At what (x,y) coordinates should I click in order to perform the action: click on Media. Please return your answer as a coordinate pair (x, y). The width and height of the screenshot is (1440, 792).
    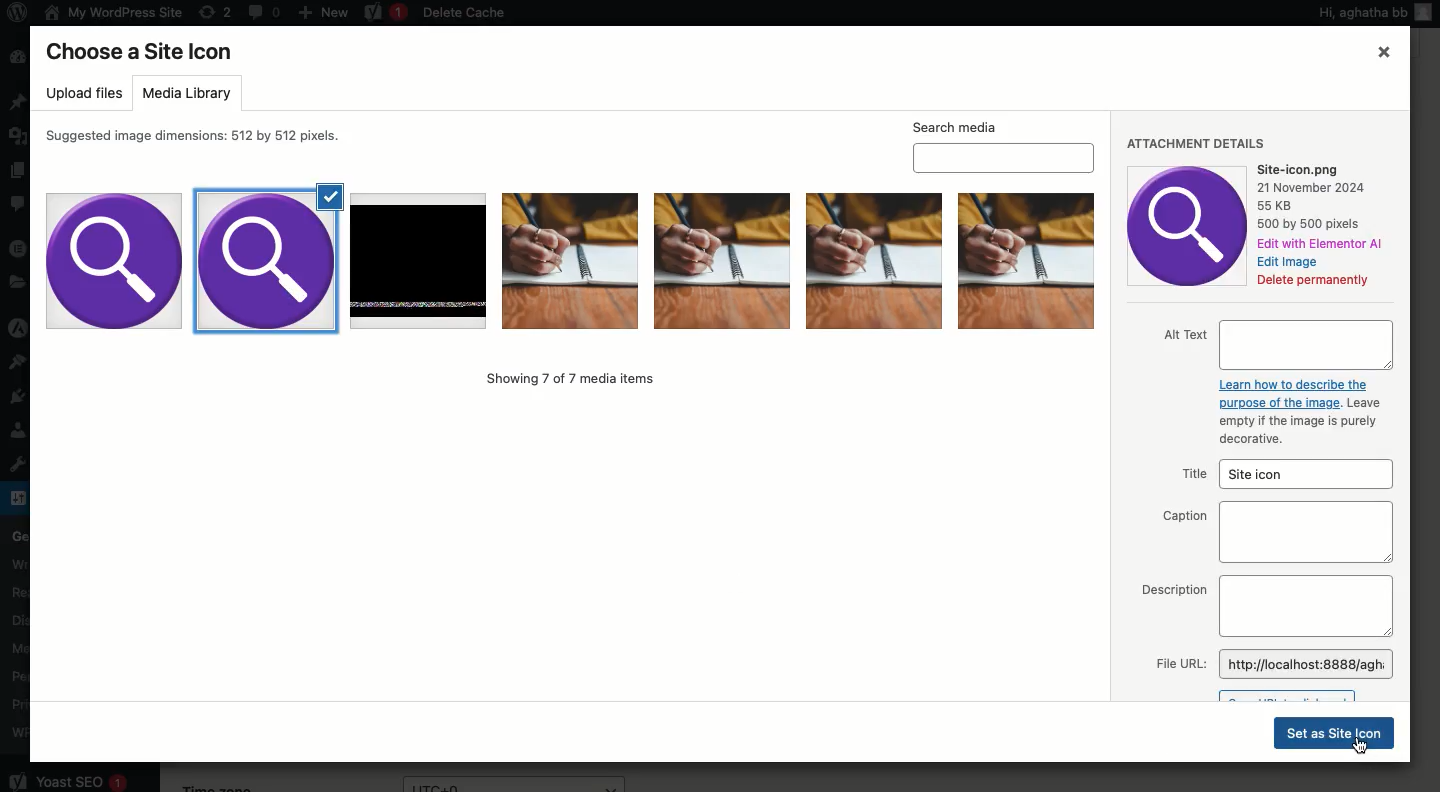
    Looking at the image, I should click on (20, 133).